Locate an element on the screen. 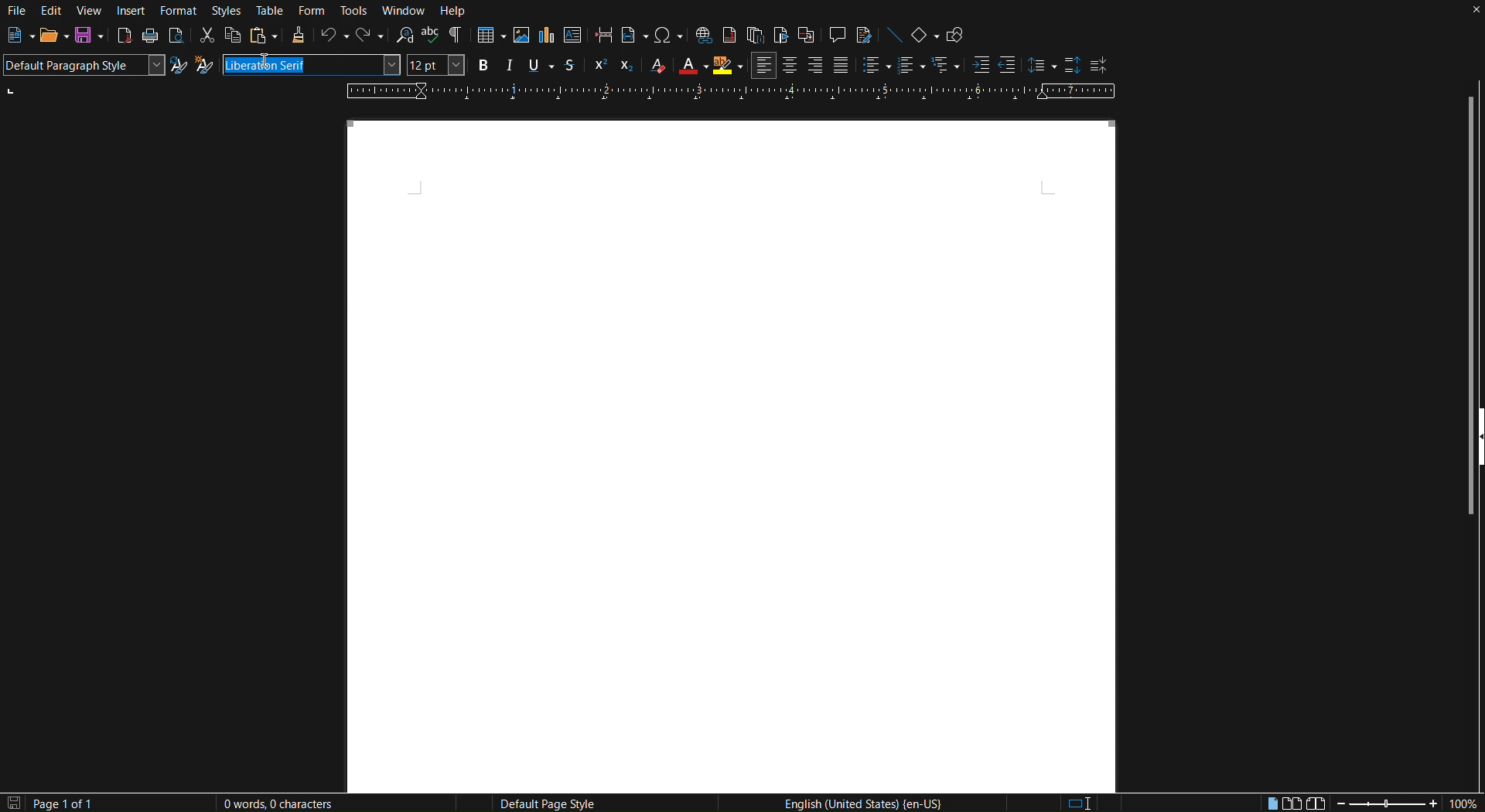 The height and width of the screenshot is (812, 1485). Styles is located at coordinates (224, 11).